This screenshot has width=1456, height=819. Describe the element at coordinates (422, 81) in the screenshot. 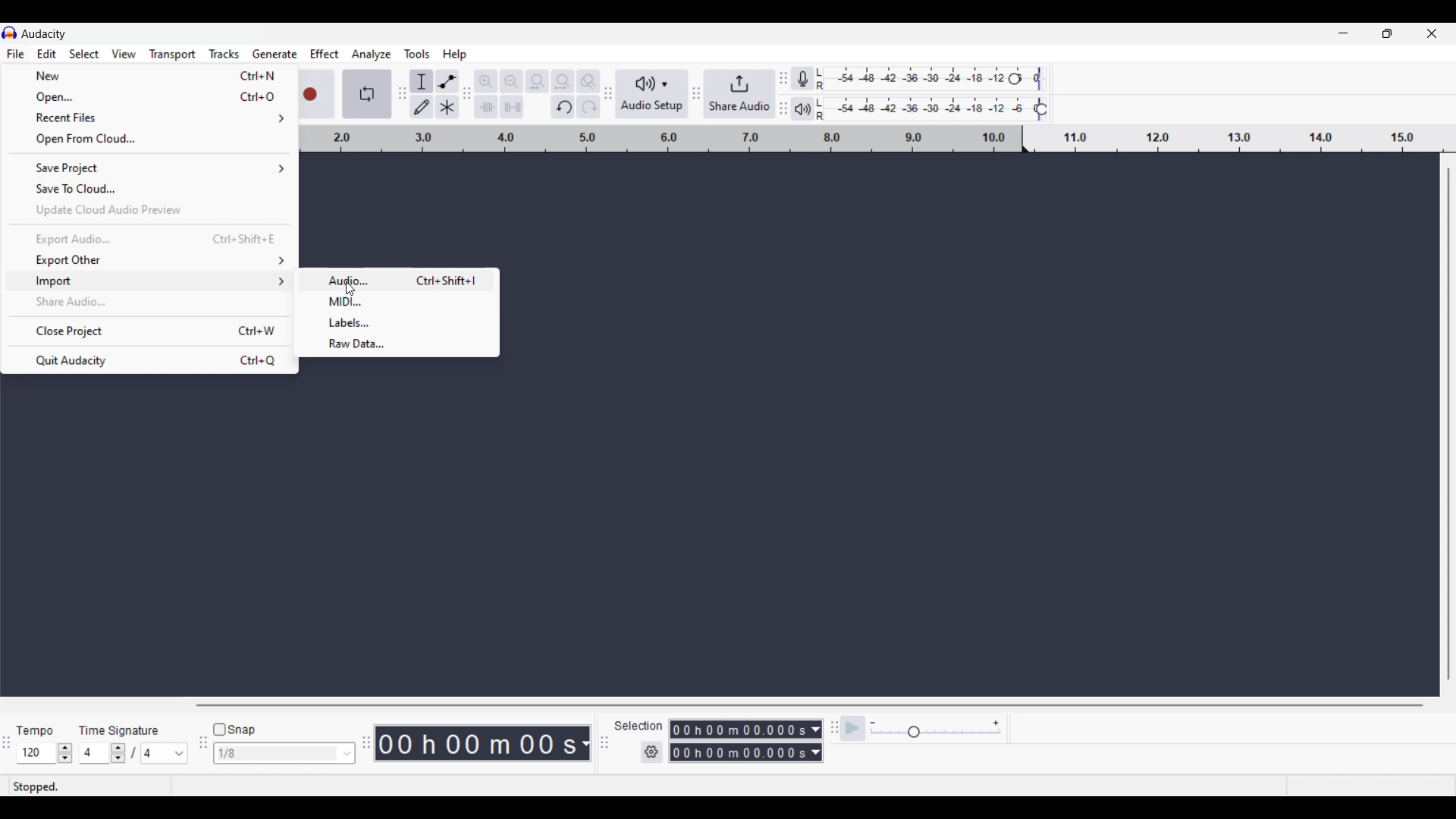

I see `Selection tool` at that location.